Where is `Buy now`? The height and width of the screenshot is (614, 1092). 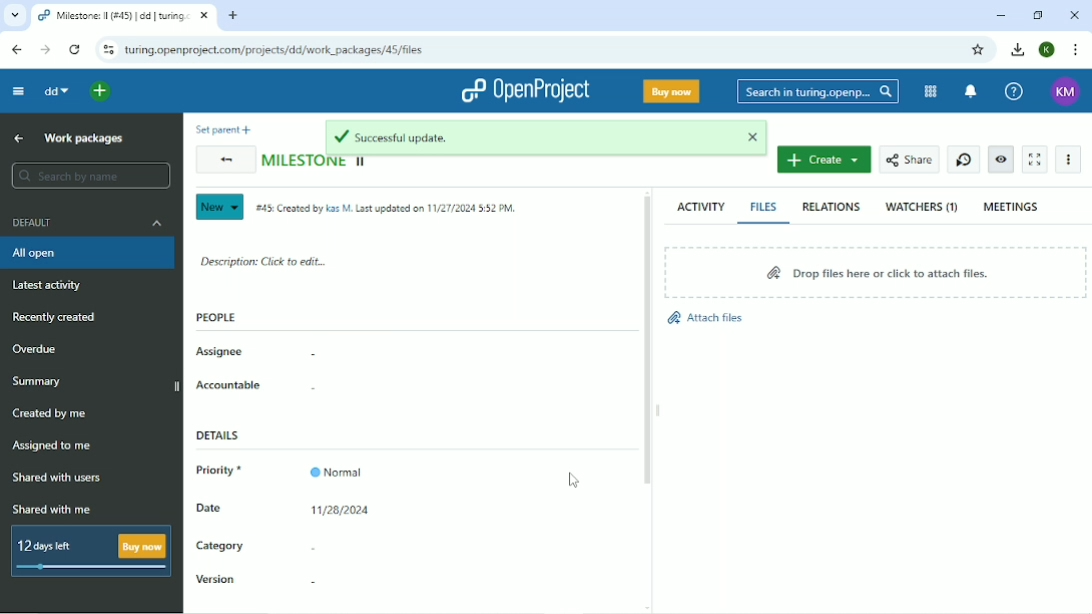 Buy now is located at coordinates (671, 90).